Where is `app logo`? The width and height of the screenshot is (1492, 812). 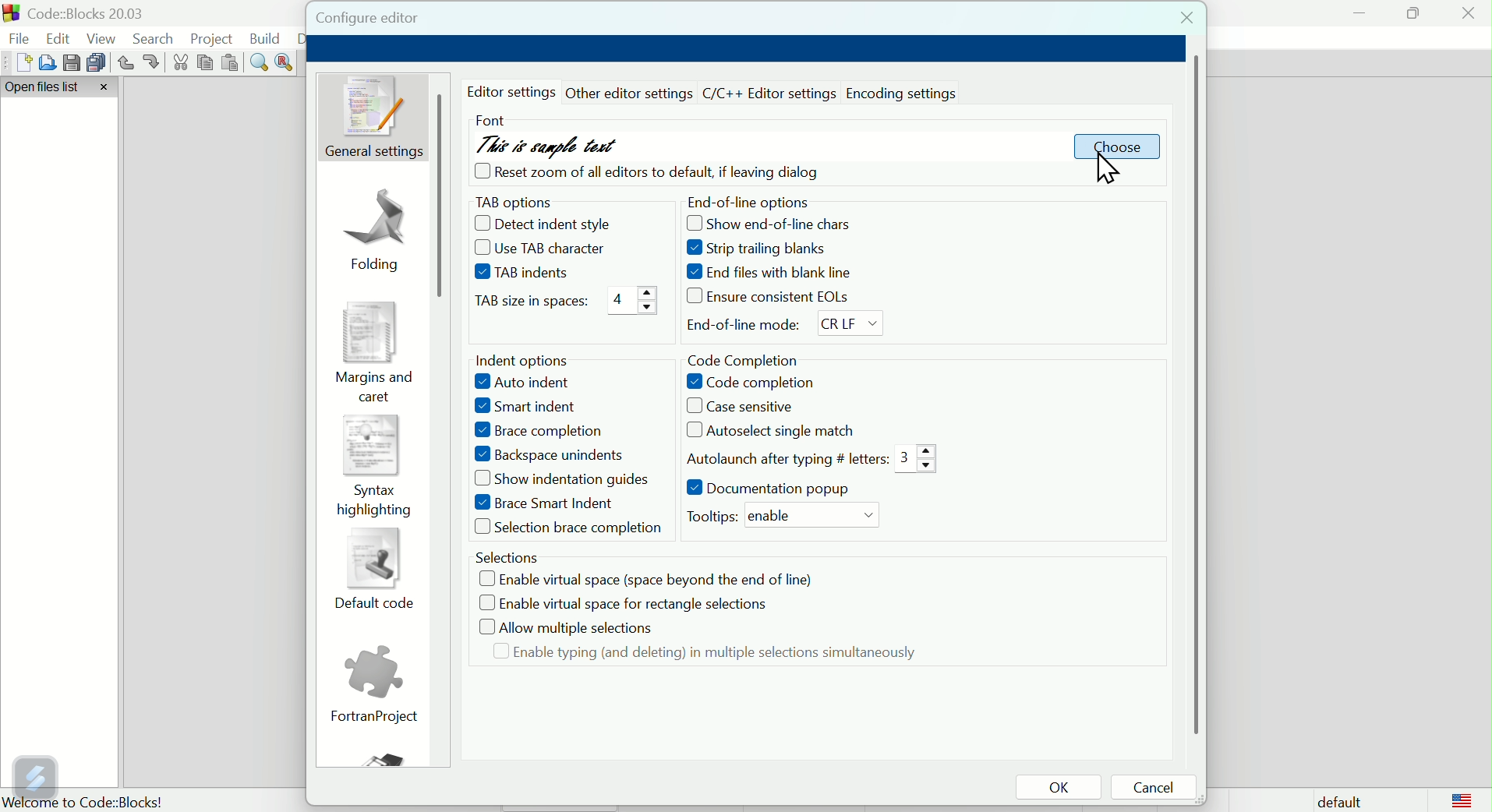
app logo is located at coordinates (9, 13).